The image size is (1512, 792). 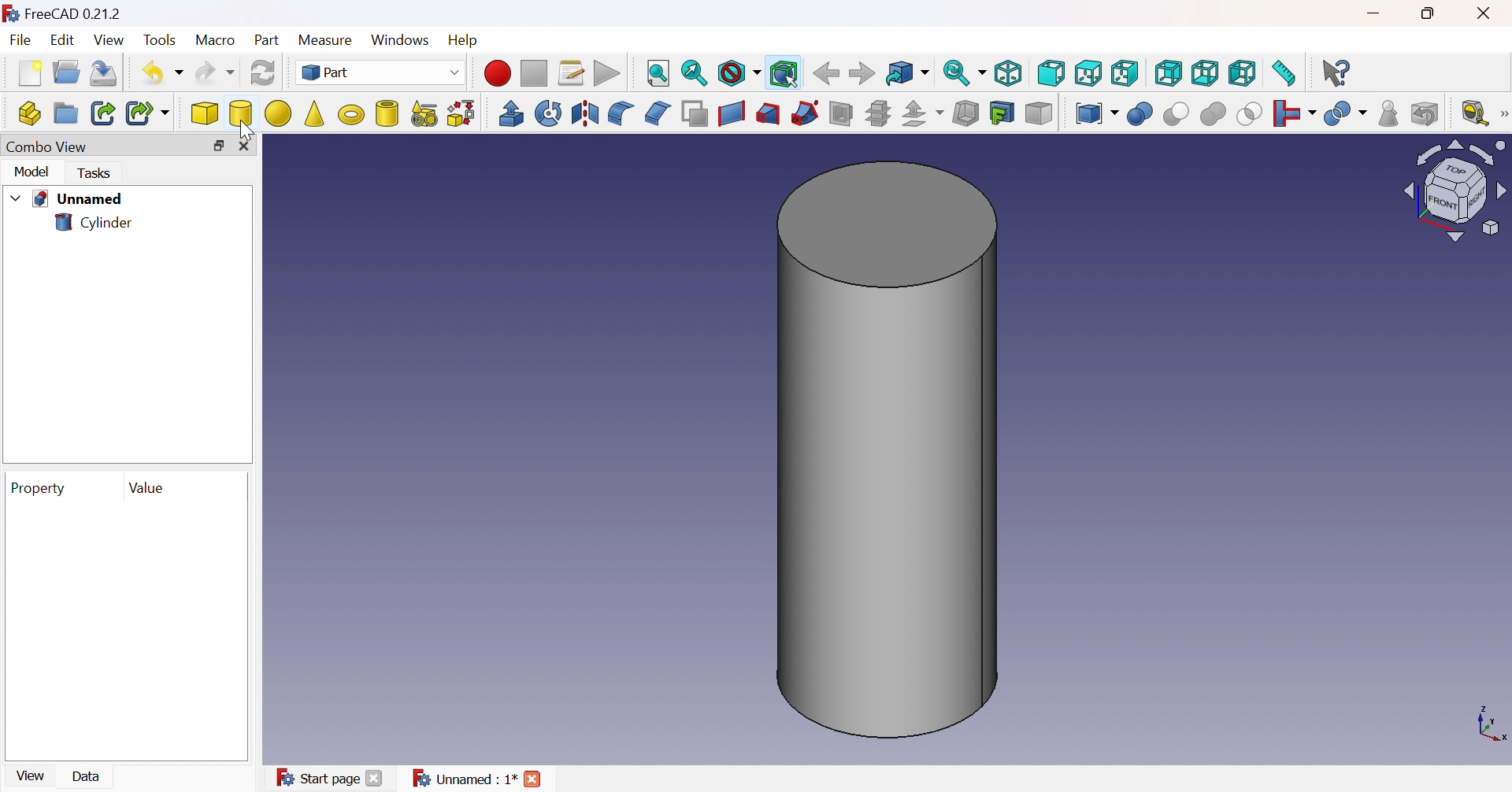 What do you see at coordinates (1243, 75) in the screenshot?
I see `Left` at bounding box center [1243, 75].